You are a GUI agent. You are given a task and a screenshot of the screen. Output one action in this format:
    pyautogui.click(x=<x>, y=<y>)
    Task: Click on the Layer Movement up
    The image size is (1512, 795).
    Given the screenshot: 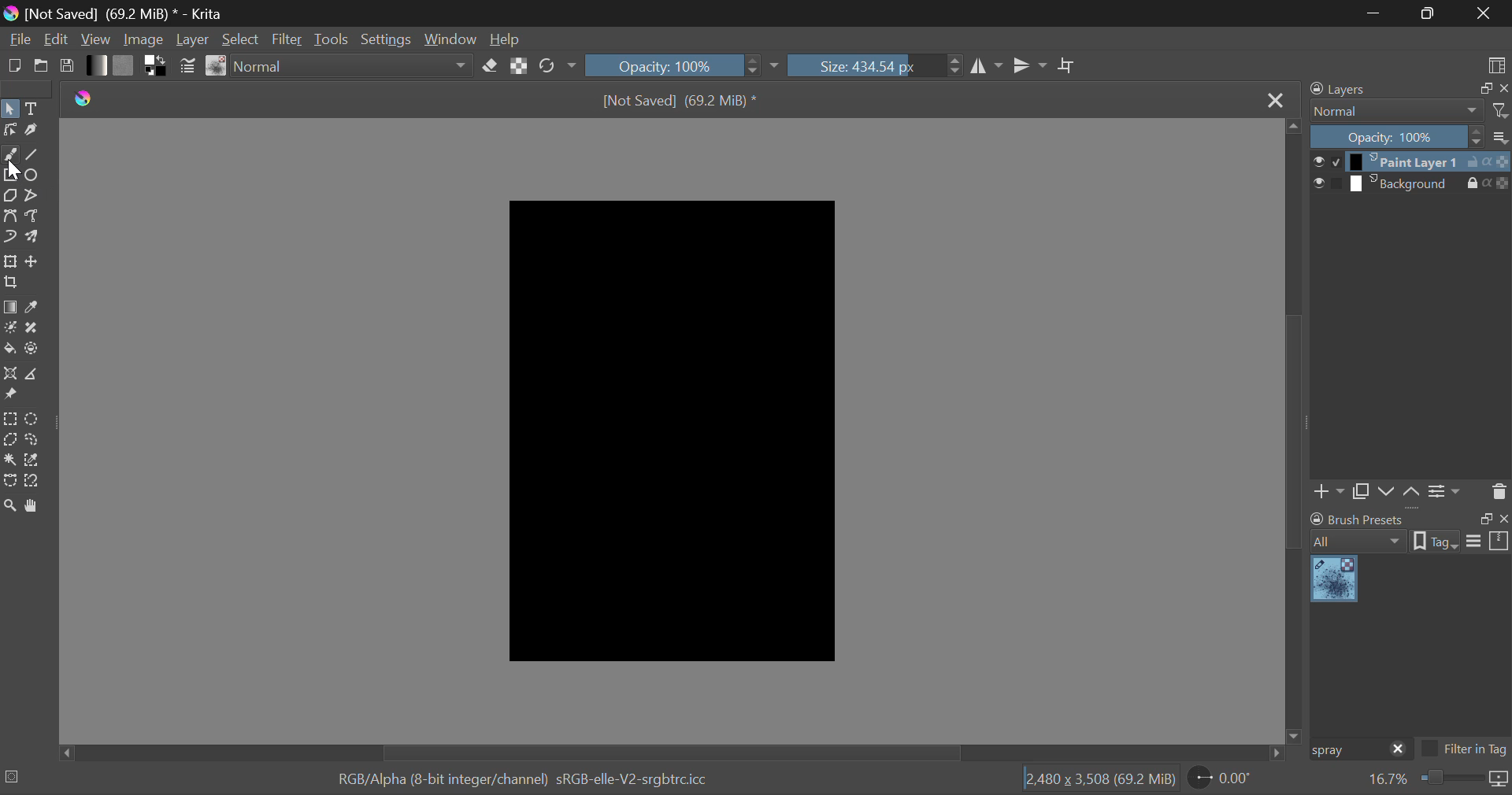 What is the action you would take?
    pyautogui.click(x=1412, y=494)
    